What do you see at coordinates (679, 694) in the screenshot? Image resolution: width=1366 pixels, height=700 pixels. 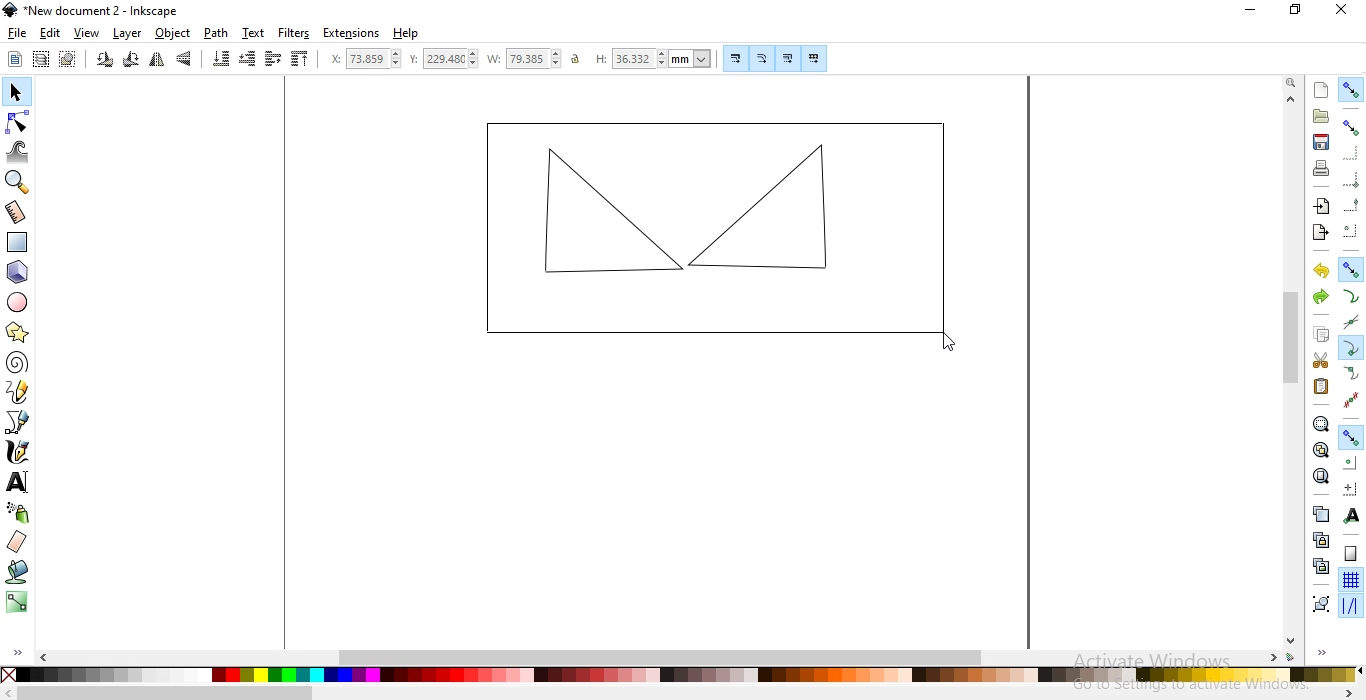 I see `scrollbar` at bounding box center [679, 694].